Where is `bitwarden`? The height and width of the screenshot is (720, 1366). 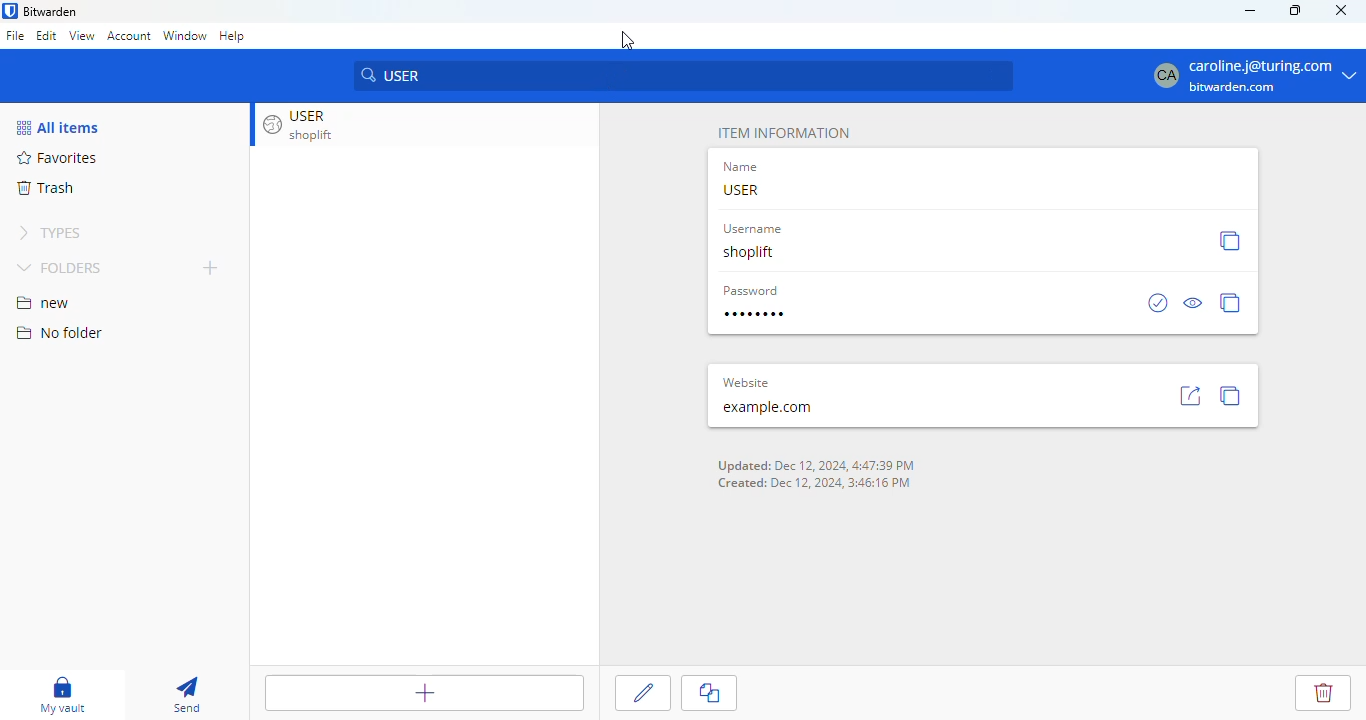
bitwarden is located at coordinates (51, 11).